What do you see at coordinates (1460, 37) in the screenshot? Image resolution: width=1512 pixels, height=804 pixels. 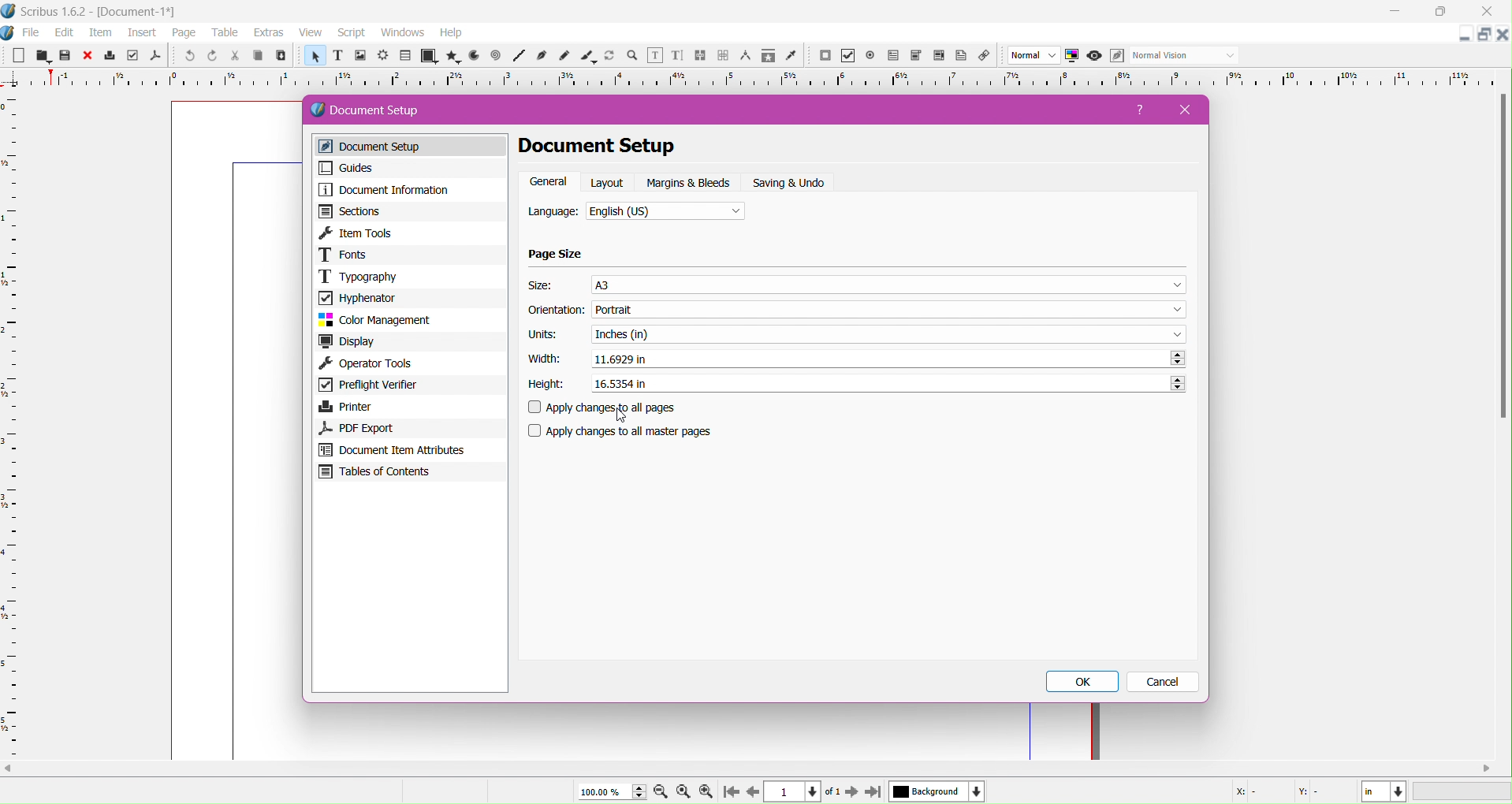 I see `minimize document` at bounding box center [1460, 37].